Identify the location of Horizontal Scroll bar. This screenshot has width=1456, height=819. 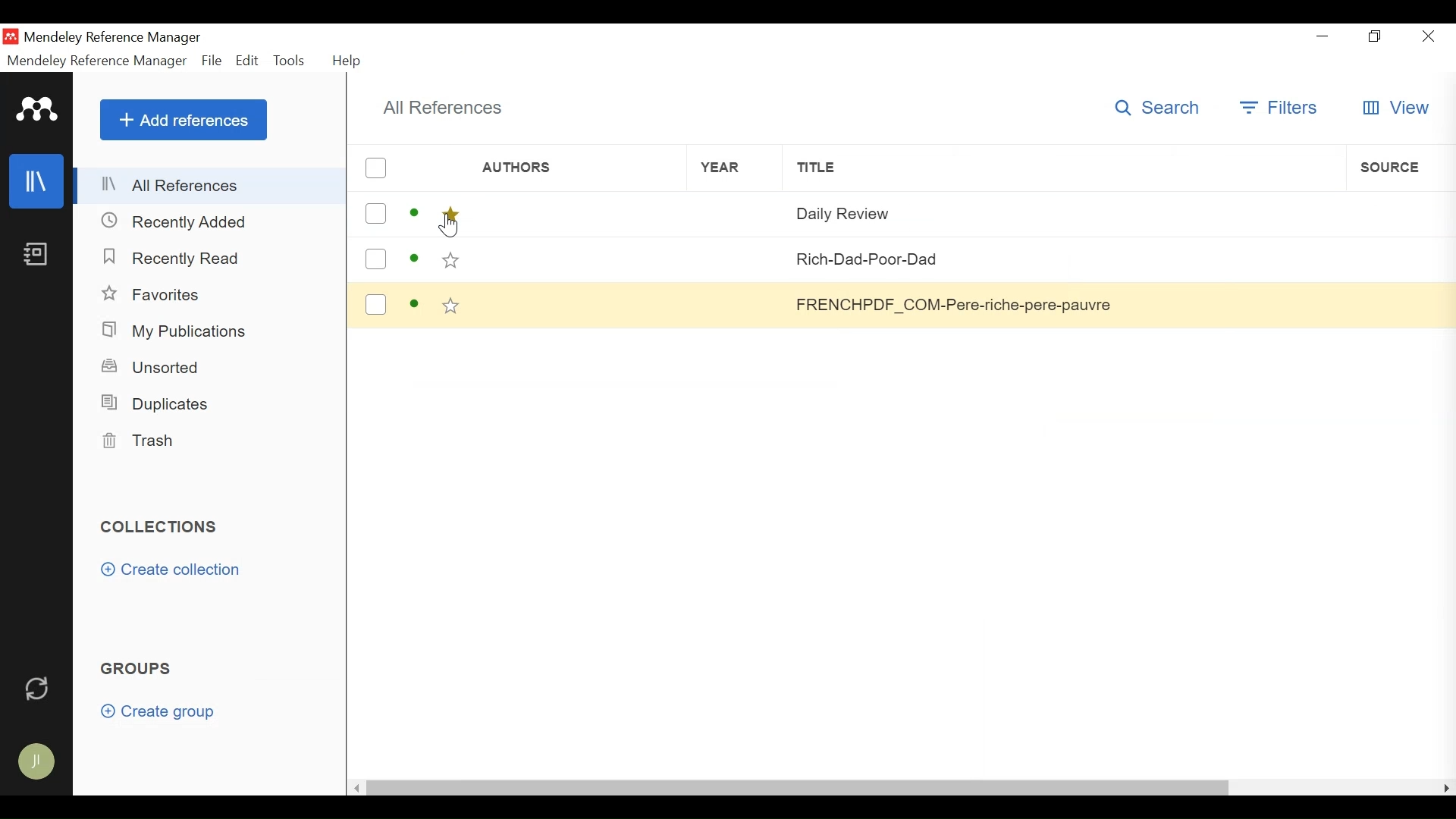
(797, 788).